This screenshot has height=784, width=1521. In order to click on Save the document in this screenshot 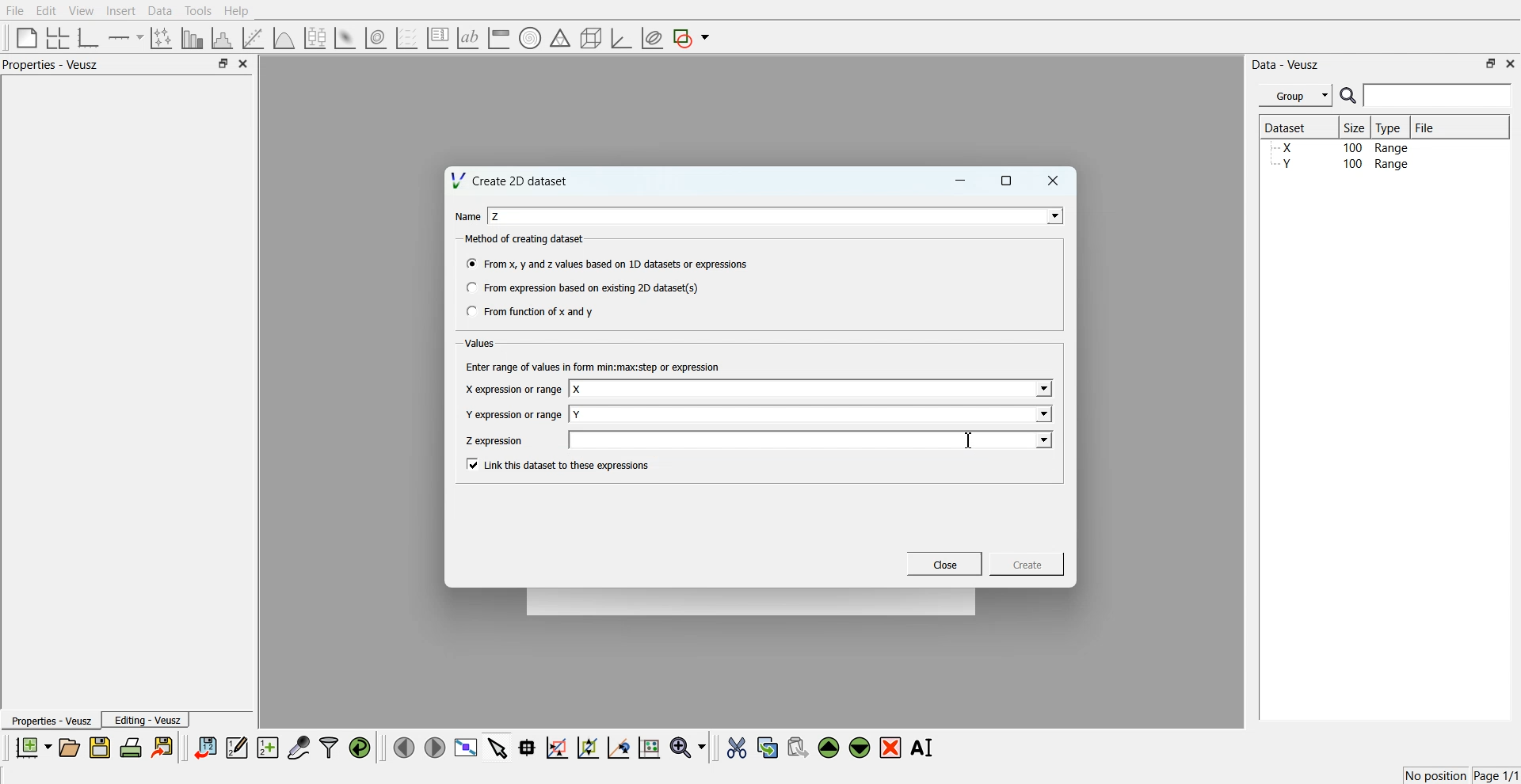, I will do `click(100, 747)`.